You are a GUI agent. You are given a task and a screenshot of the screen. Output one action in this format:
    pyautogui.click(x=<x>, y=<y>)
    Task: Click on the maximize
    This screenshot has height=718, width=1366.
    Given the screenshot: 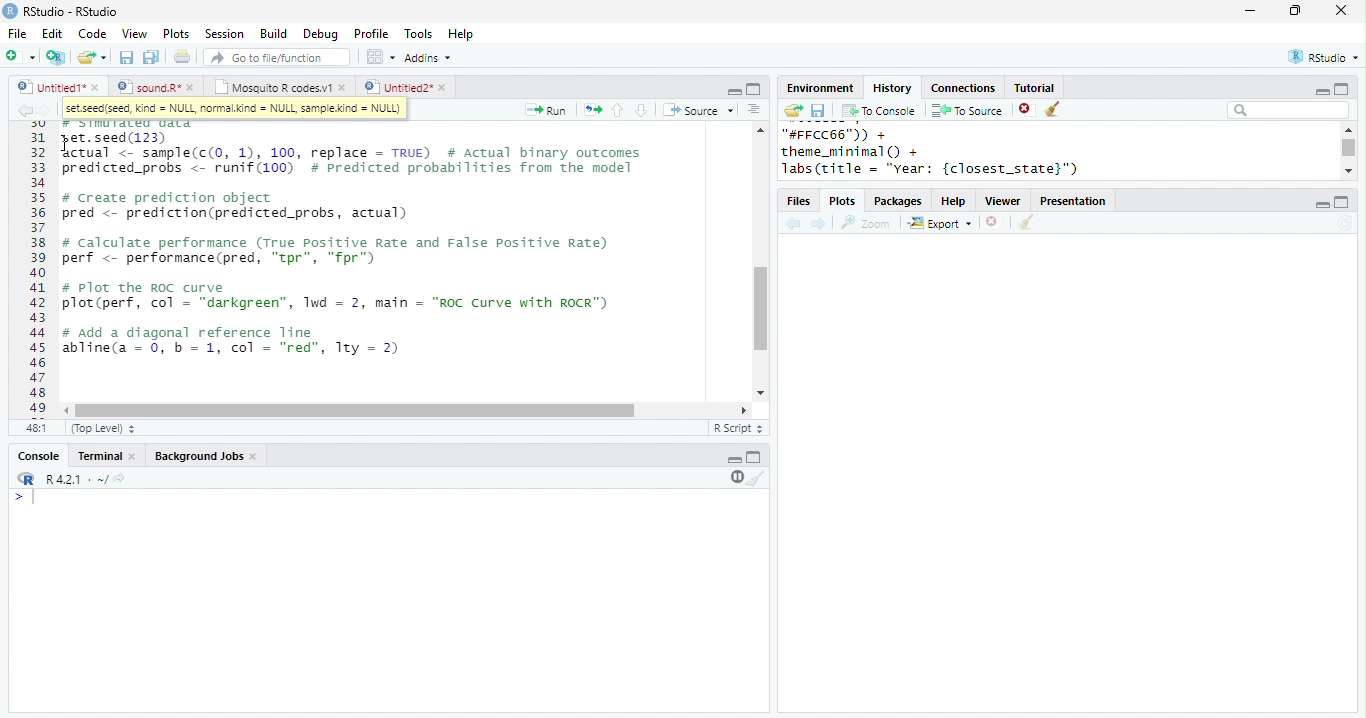 What is the action you would take?
    pyautogui.click(x=1342, y=202)
    